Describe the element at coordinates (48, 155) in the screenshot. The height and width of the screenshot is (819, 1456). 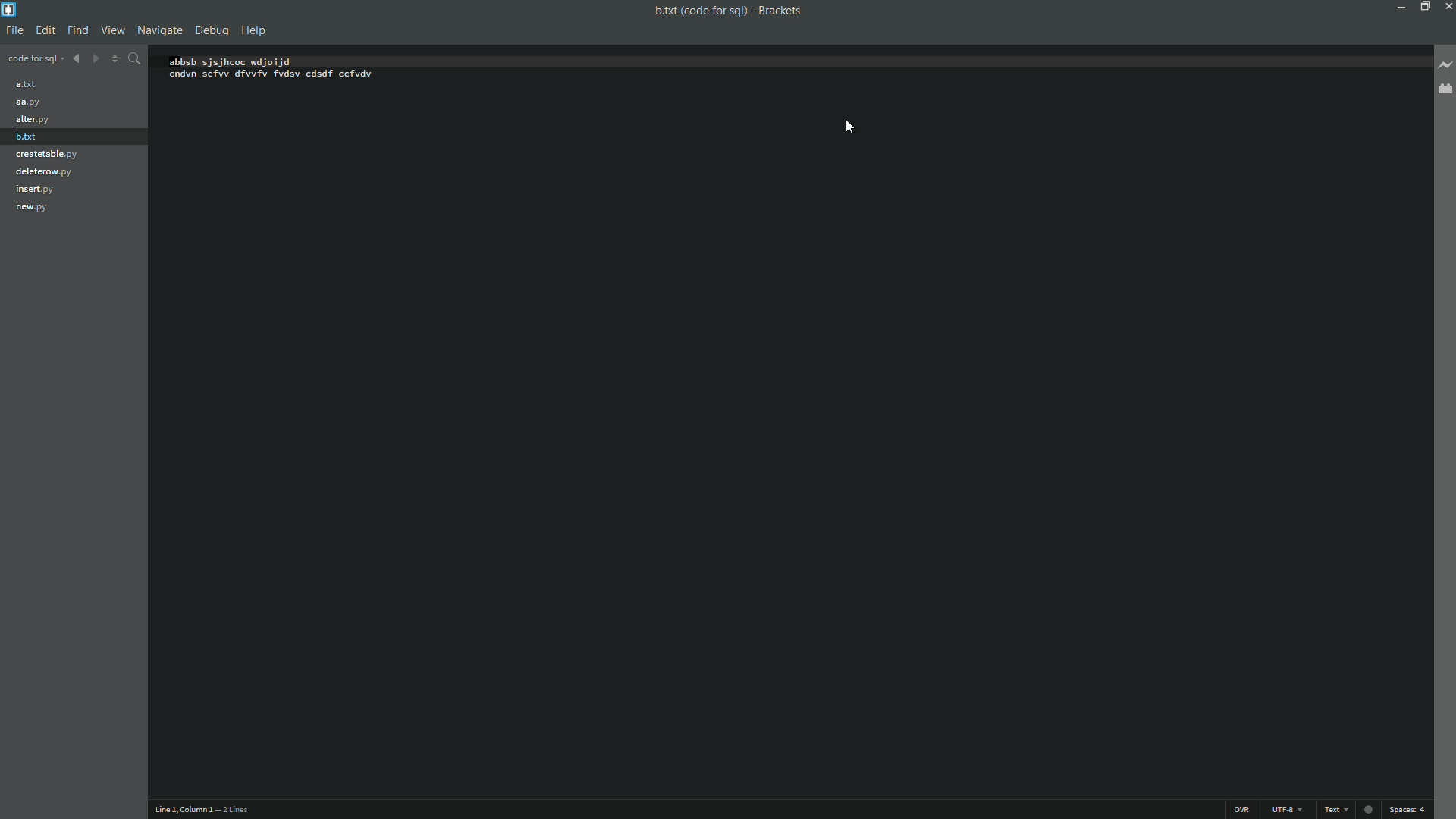
I see `createtable.py` at that location.